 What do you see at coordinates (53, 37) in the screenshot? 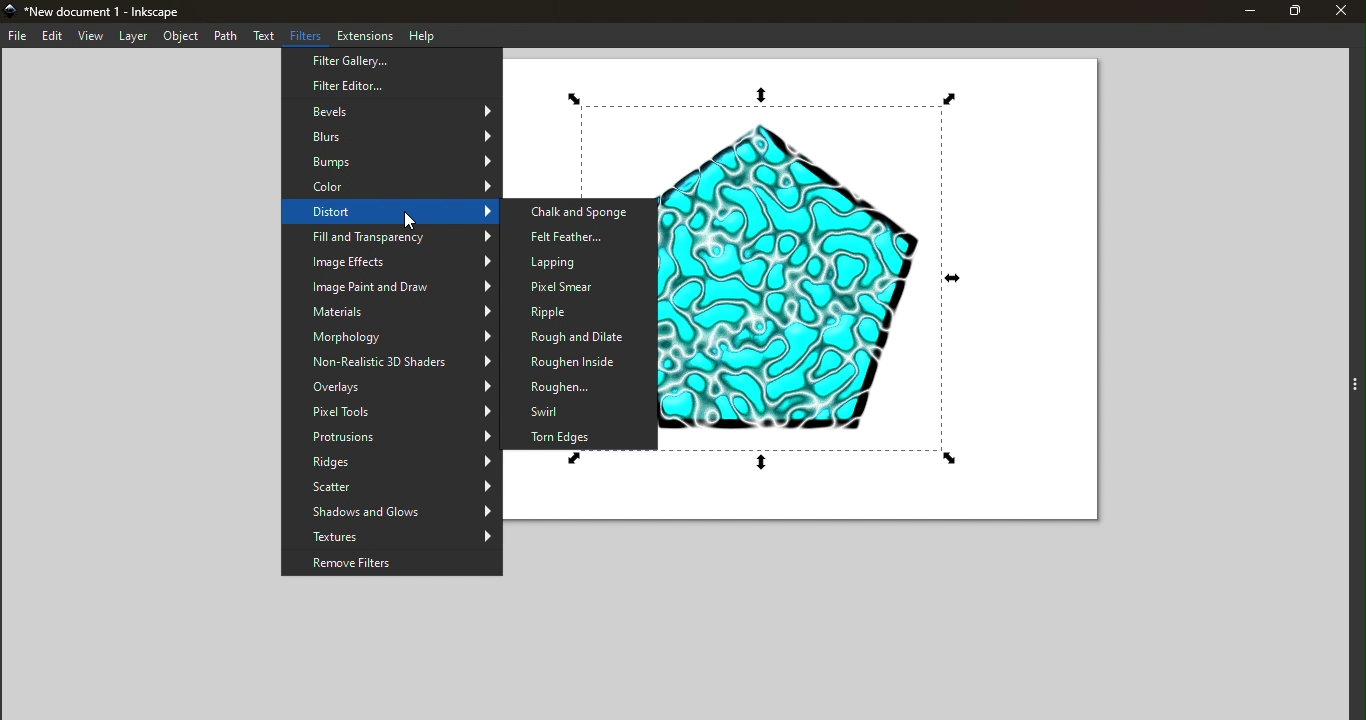
I see `Edit` at bounding box center [53, 37].